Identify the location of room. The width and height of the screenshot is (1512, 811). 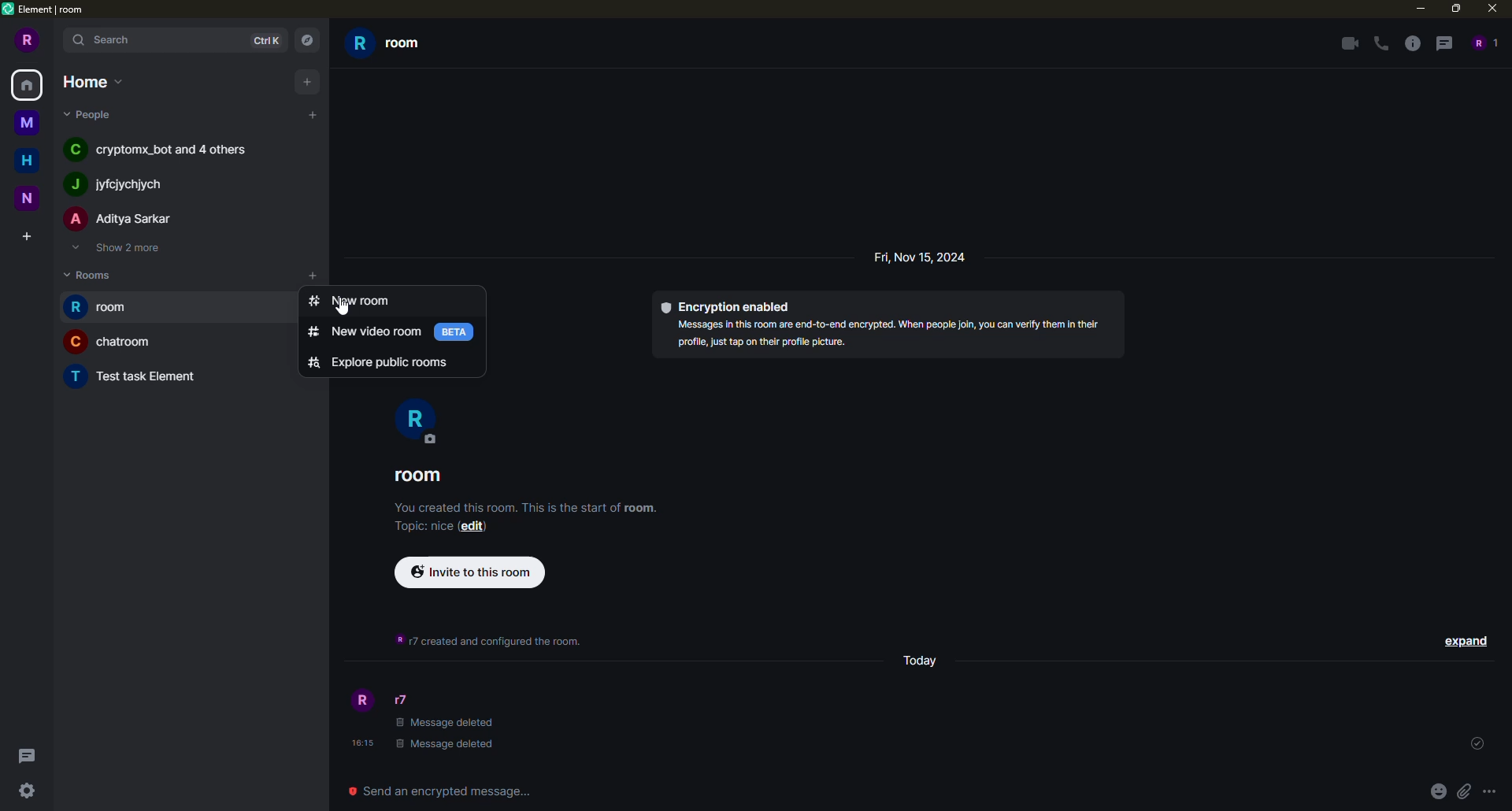
(104, 306).